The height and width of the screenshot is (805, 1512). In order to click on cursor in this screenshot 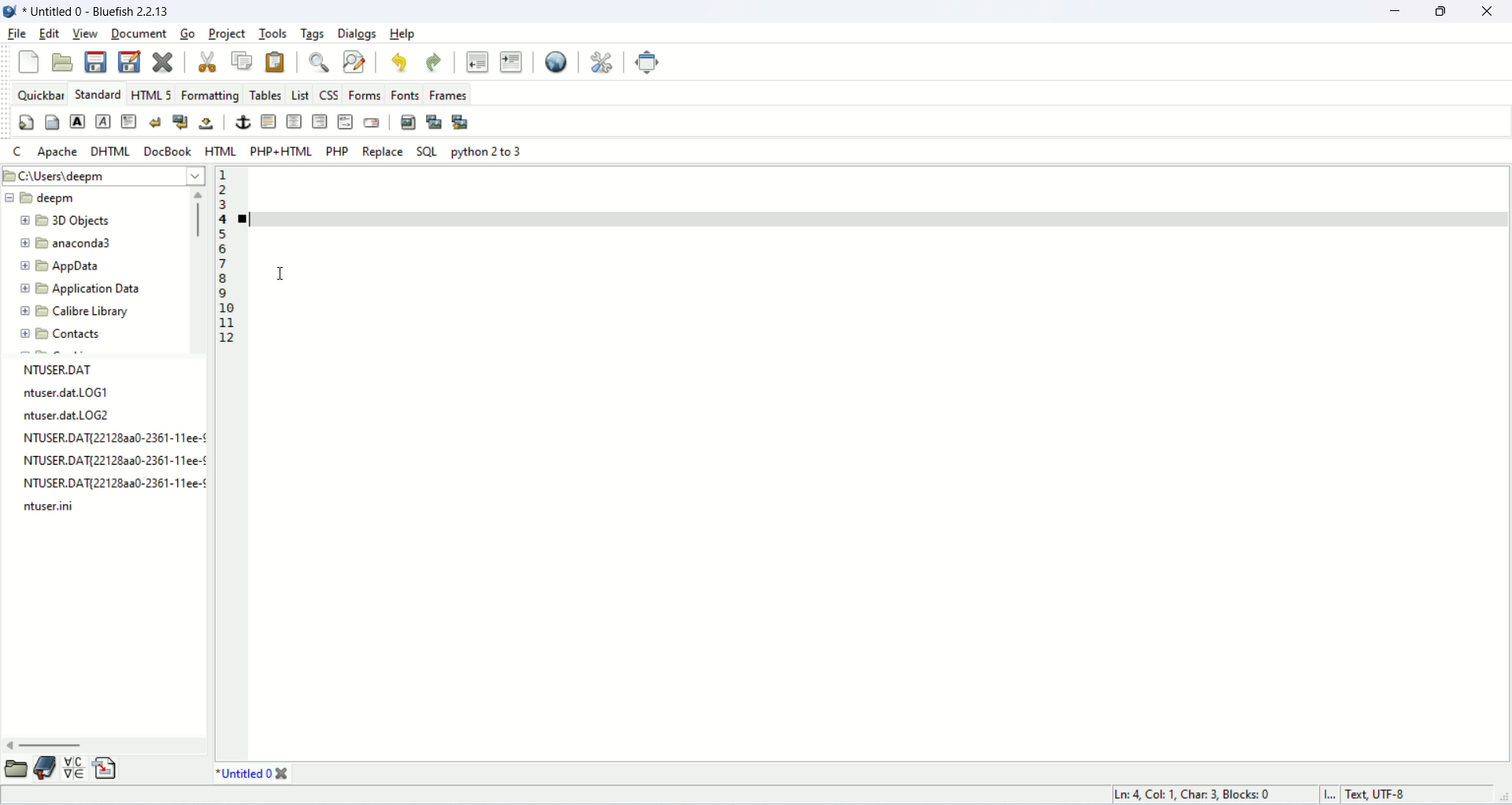, I will do `click(283, 268)`.